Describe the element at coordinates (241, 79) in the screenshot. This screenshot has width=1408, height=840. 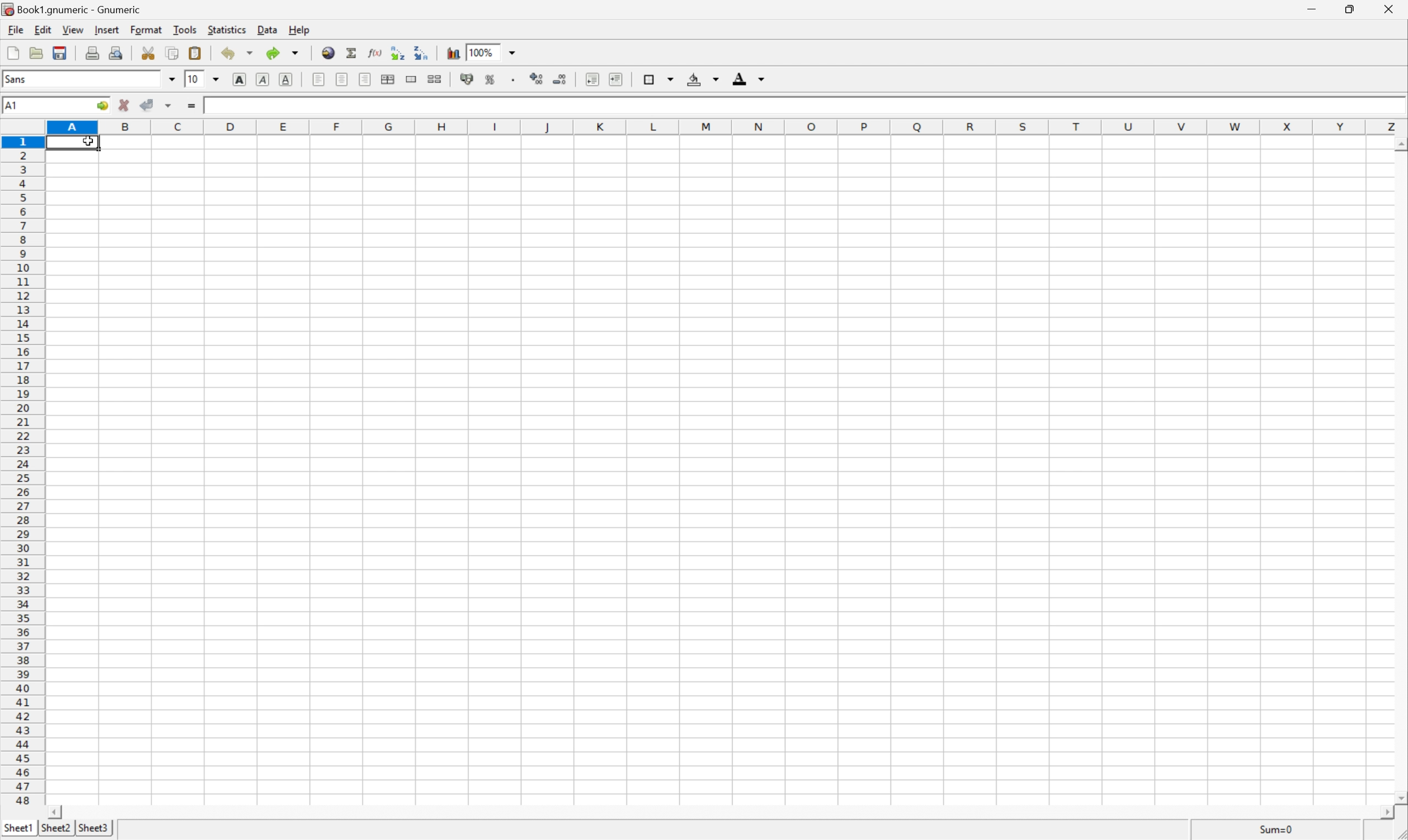
I see `bold` at that location.